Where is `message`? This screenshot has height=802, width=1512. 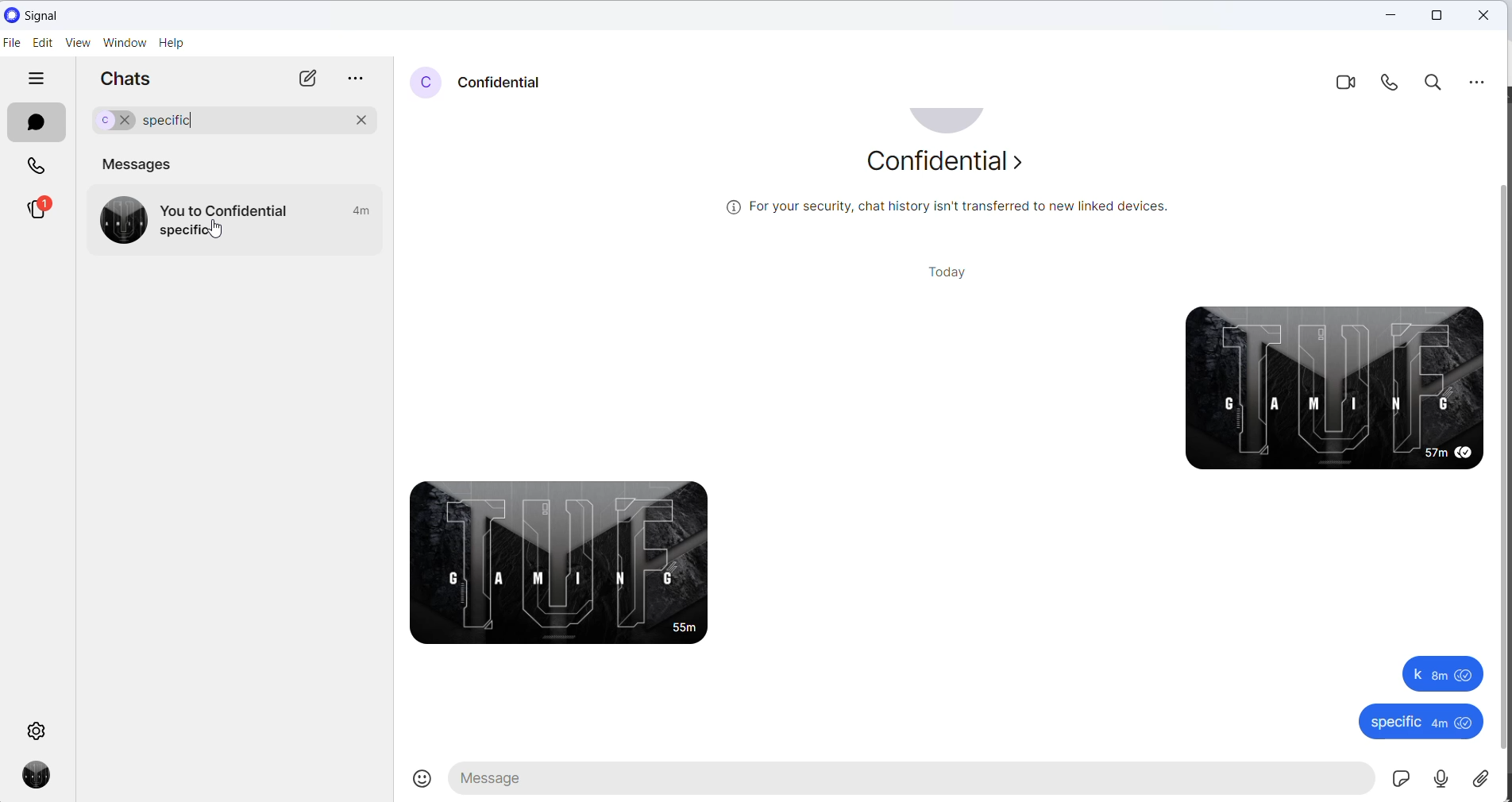 message is located at coordinates (190, 231).